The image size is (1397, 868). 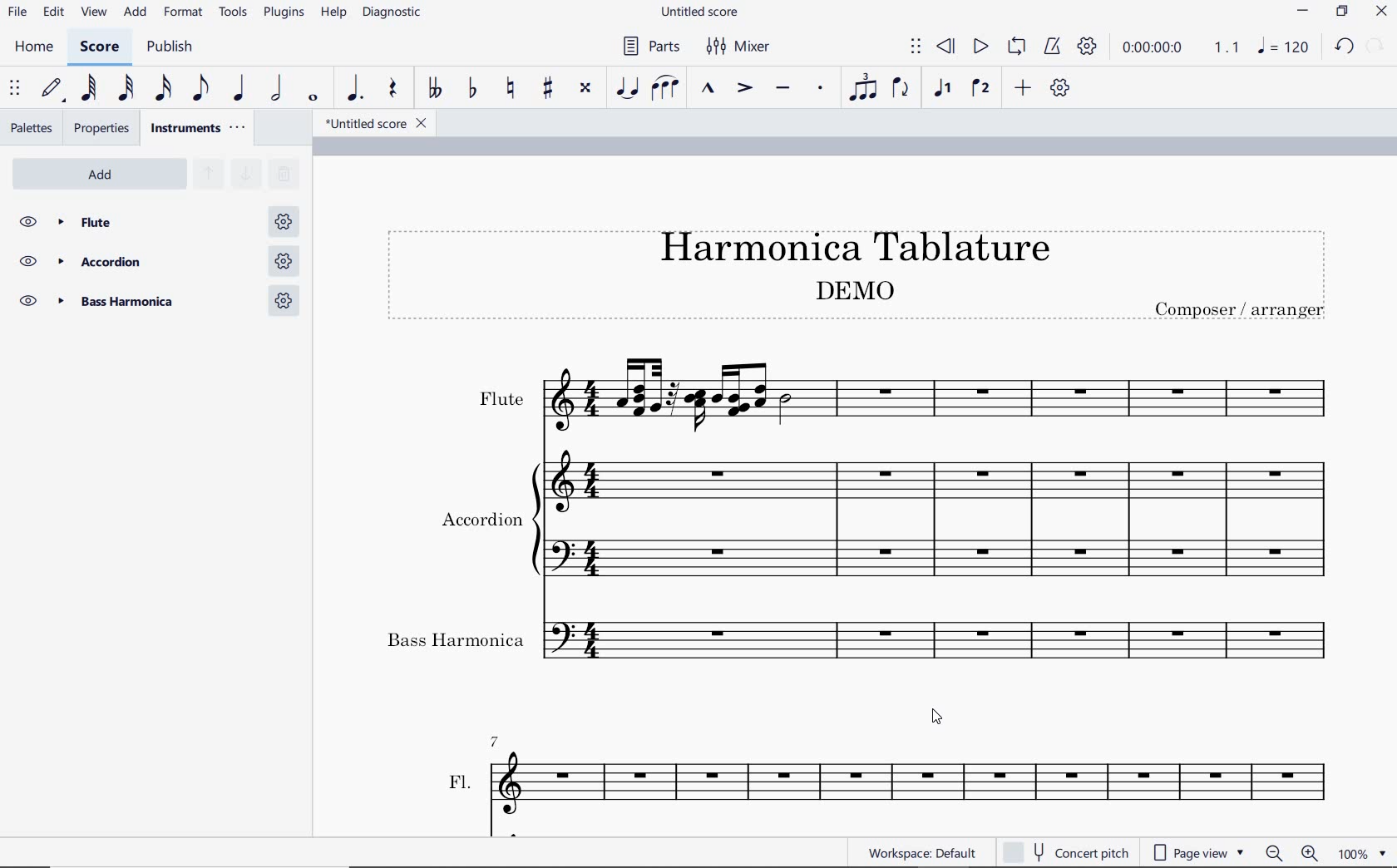 I want to click on tie, so click(x=629, y=88).